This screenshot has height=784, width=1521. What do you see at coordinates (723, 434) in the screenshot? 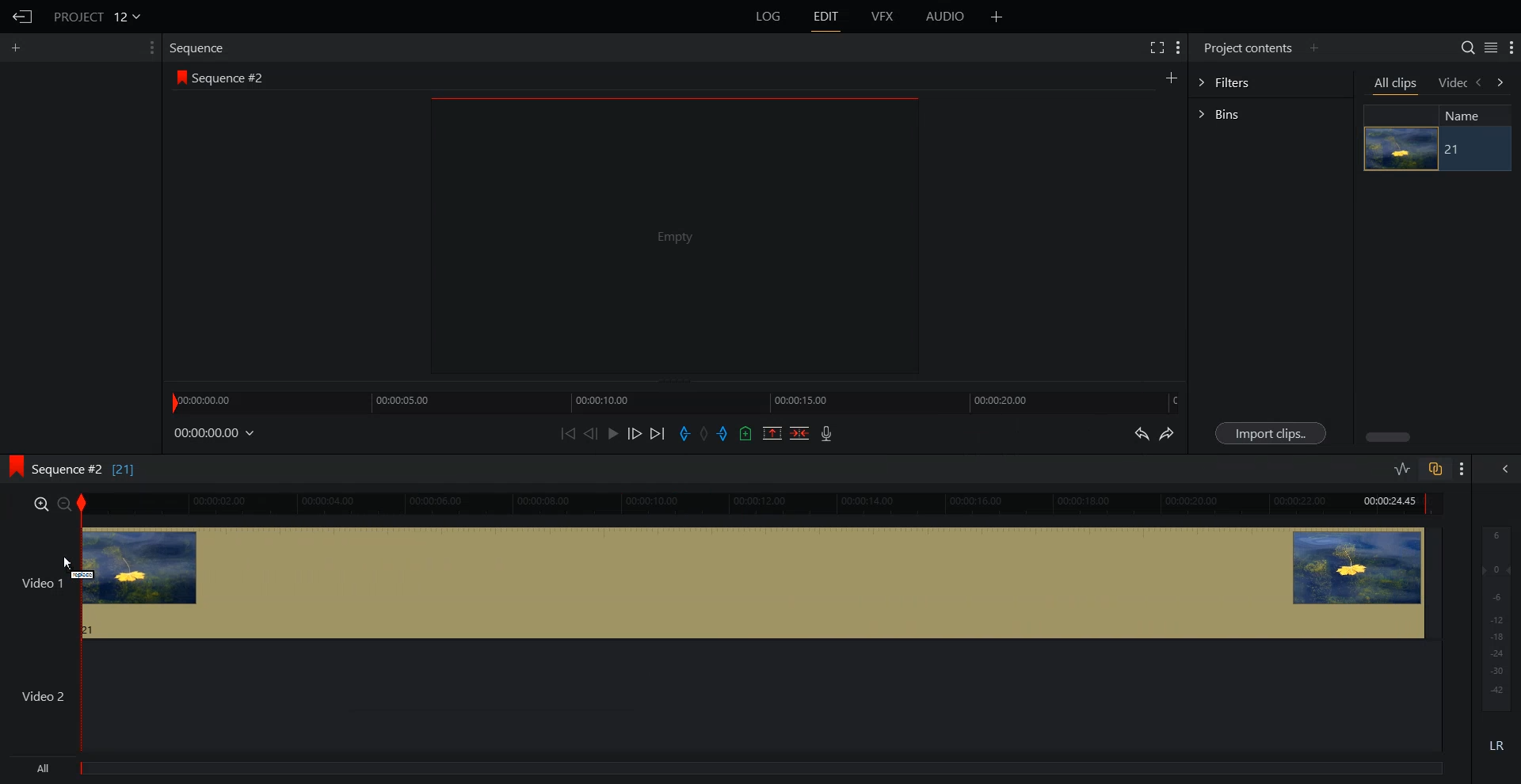
I see `Add out mark in the current video` at bounding box center [723, 434].